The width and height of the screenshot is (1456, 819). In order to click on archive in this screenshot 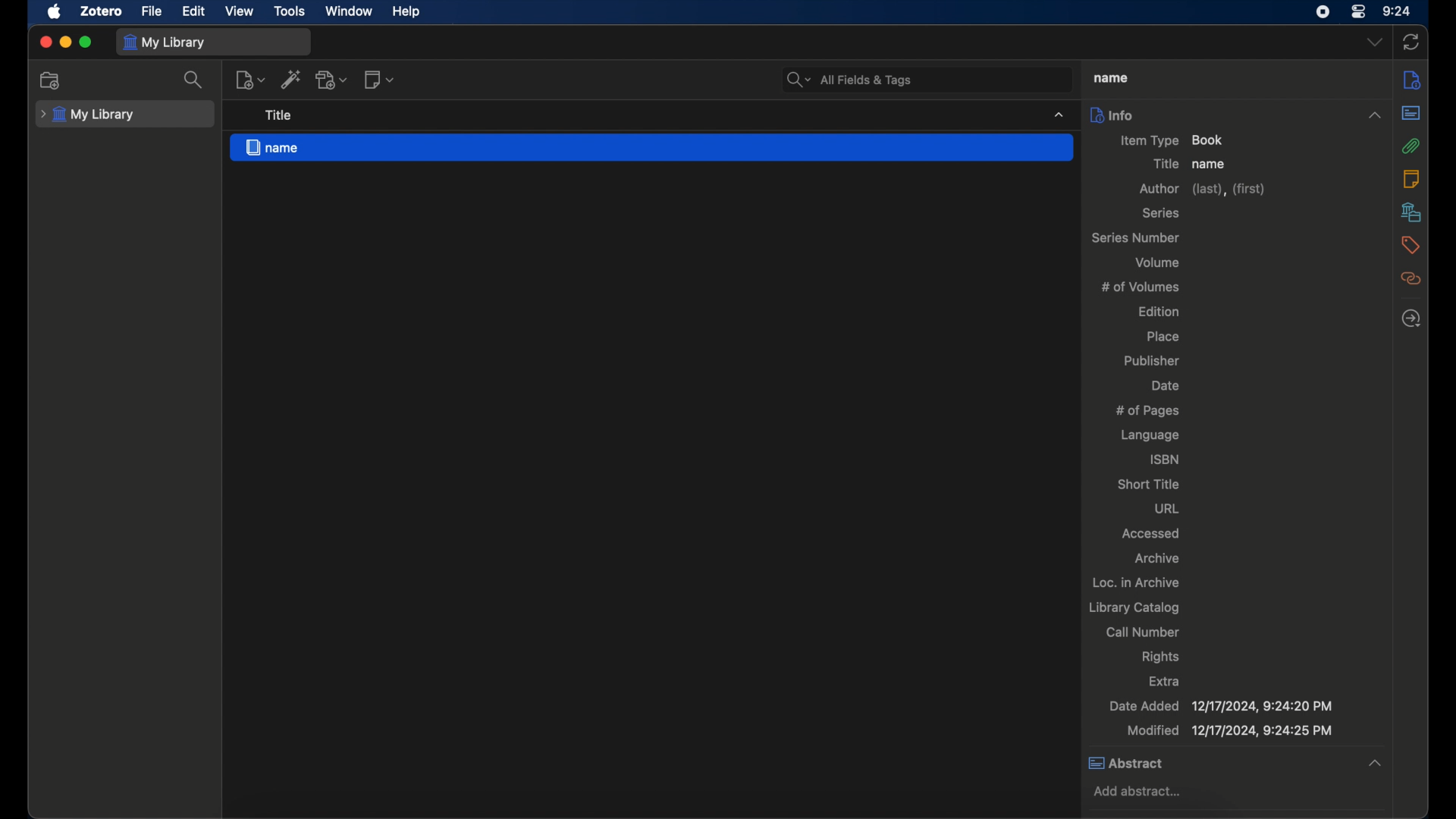, I will do `click(1156, 557)`.